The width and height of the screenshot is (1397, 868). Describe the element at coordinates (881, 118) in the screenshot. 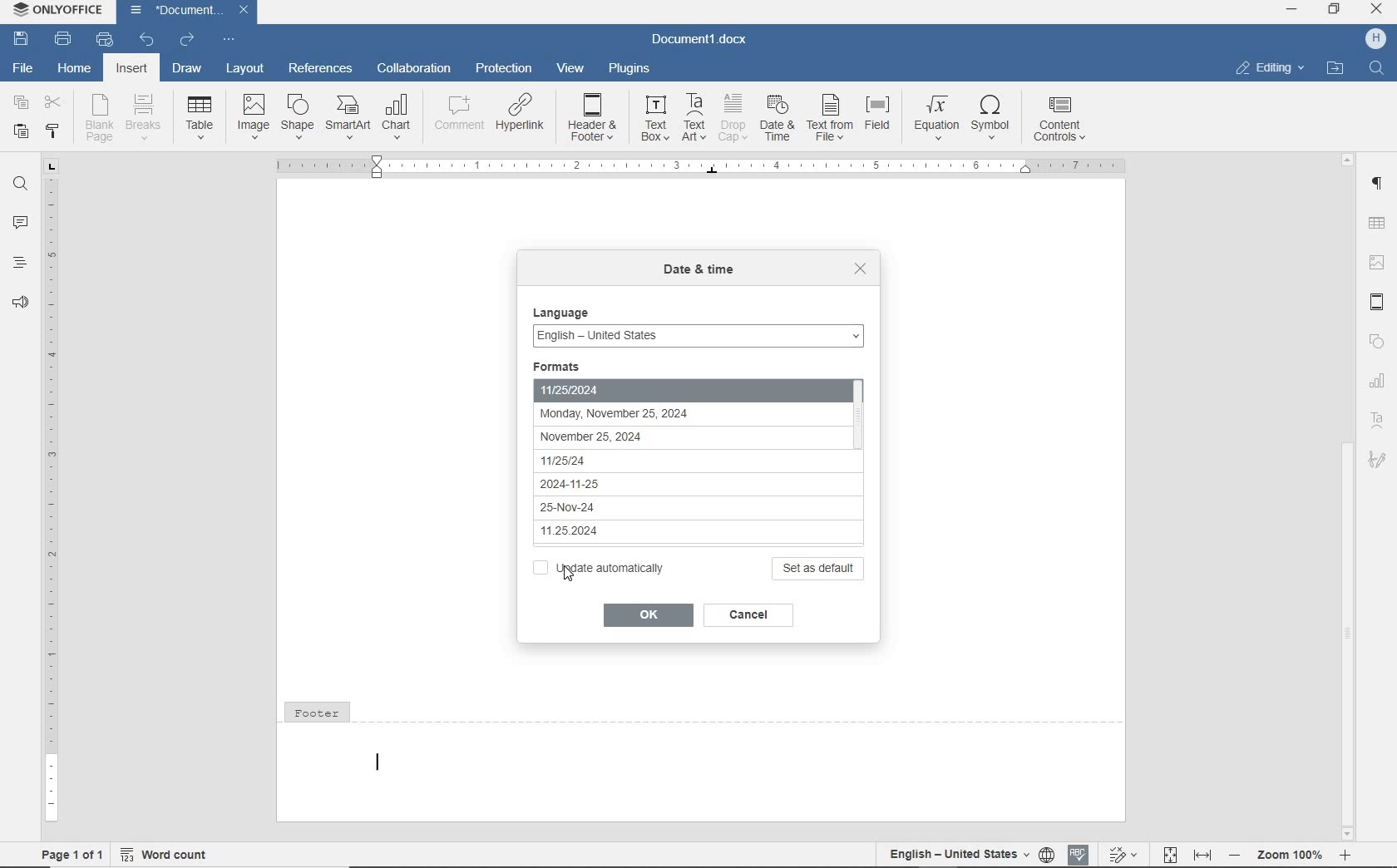

I see `field` at that location.